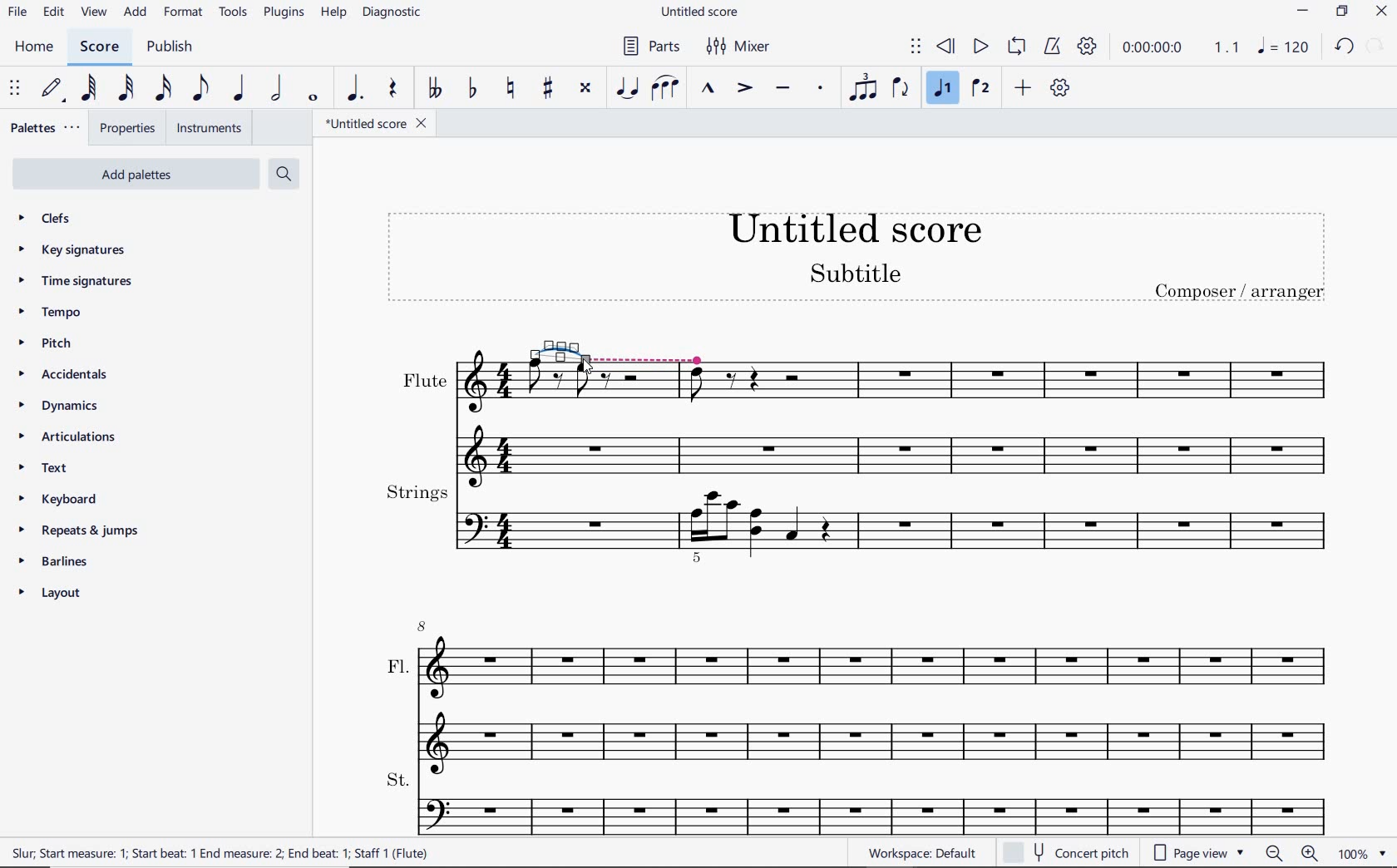  I want to click on plugins, so click(282, 12).